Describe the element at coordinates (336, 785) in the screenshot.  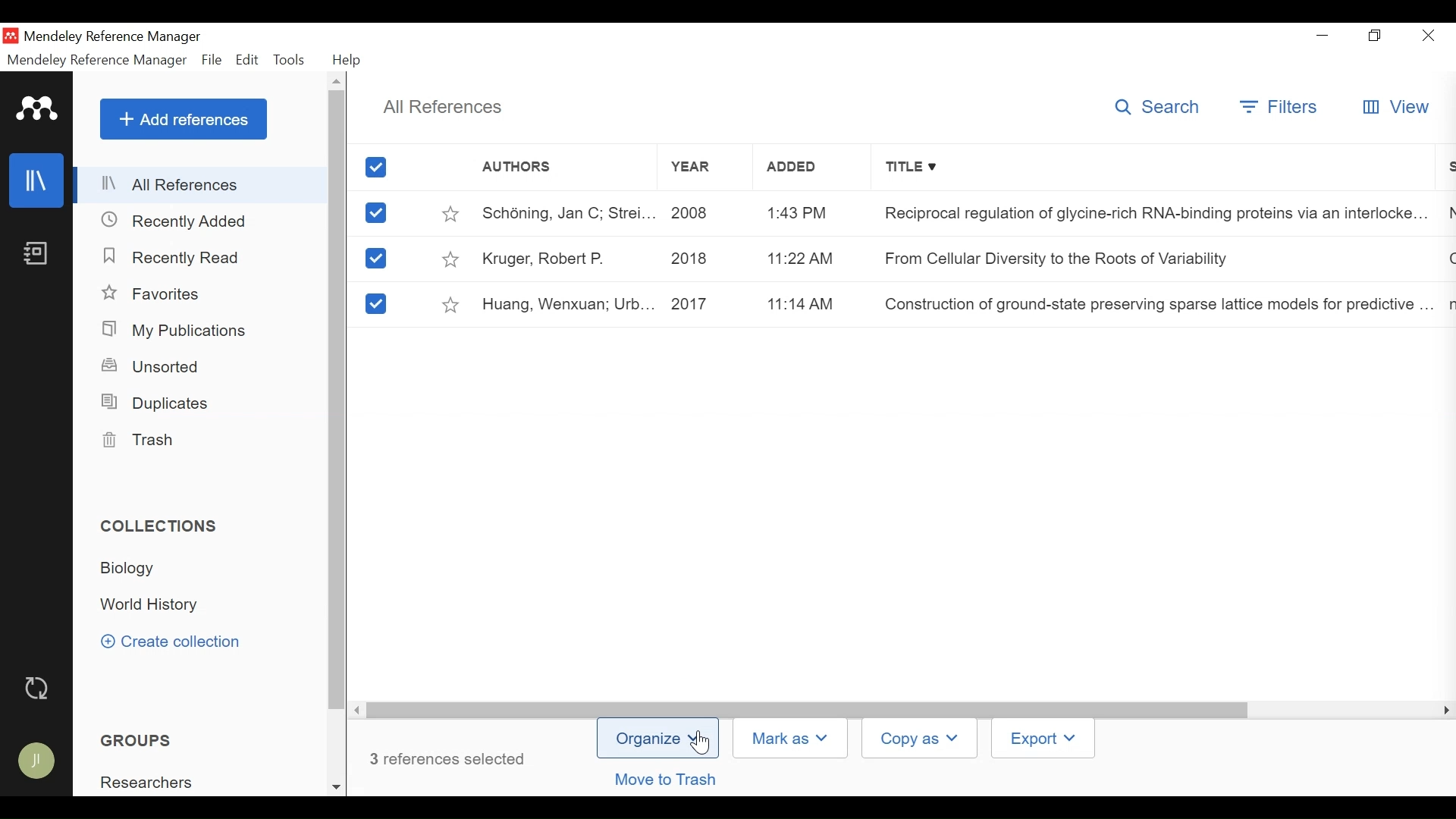
I see `Scroll down` at that location.